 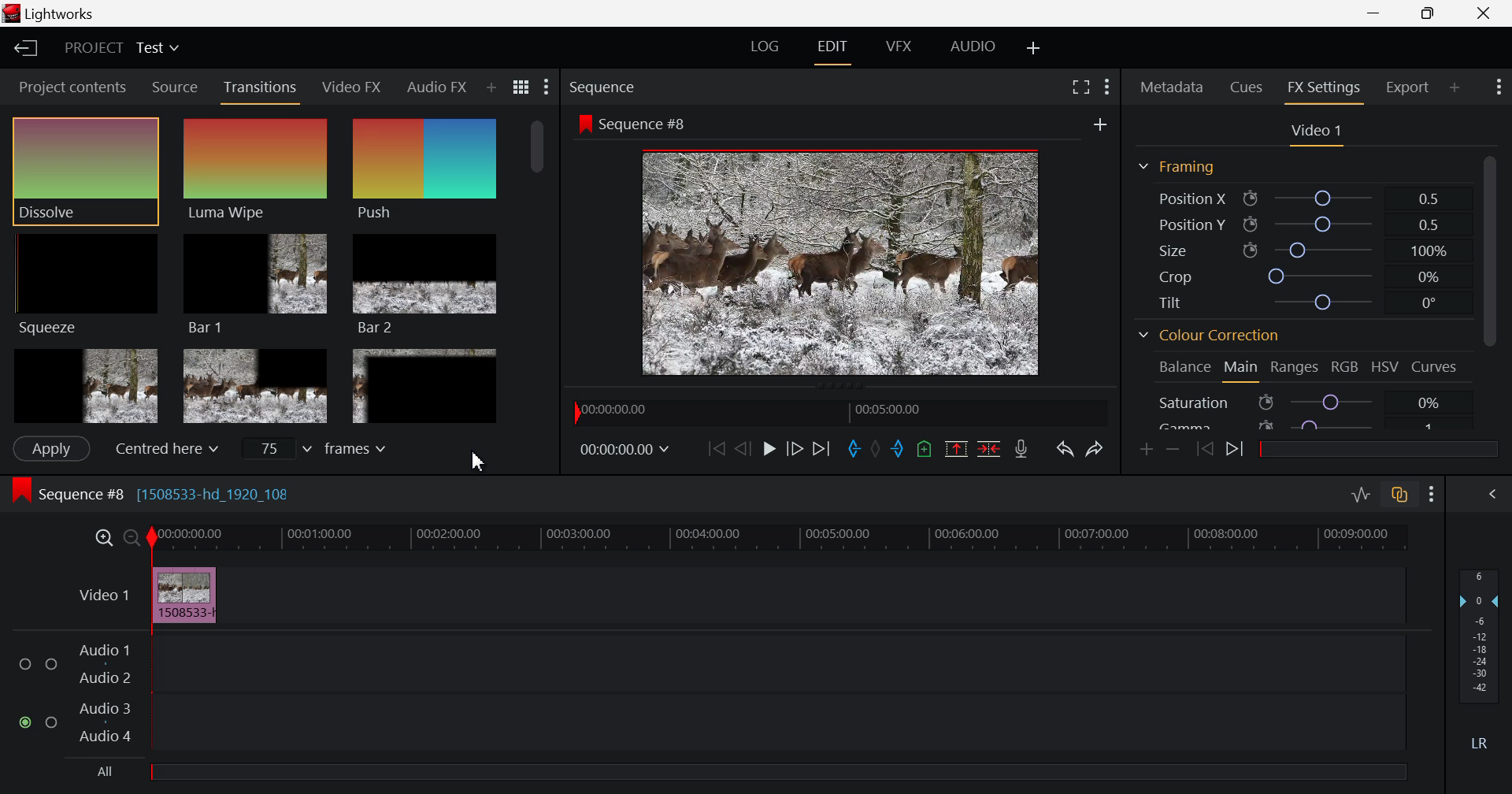 What do you see at coordinates (71, 87) in the screenshot?
I see `Project contents` at bounding box center [71, 87].